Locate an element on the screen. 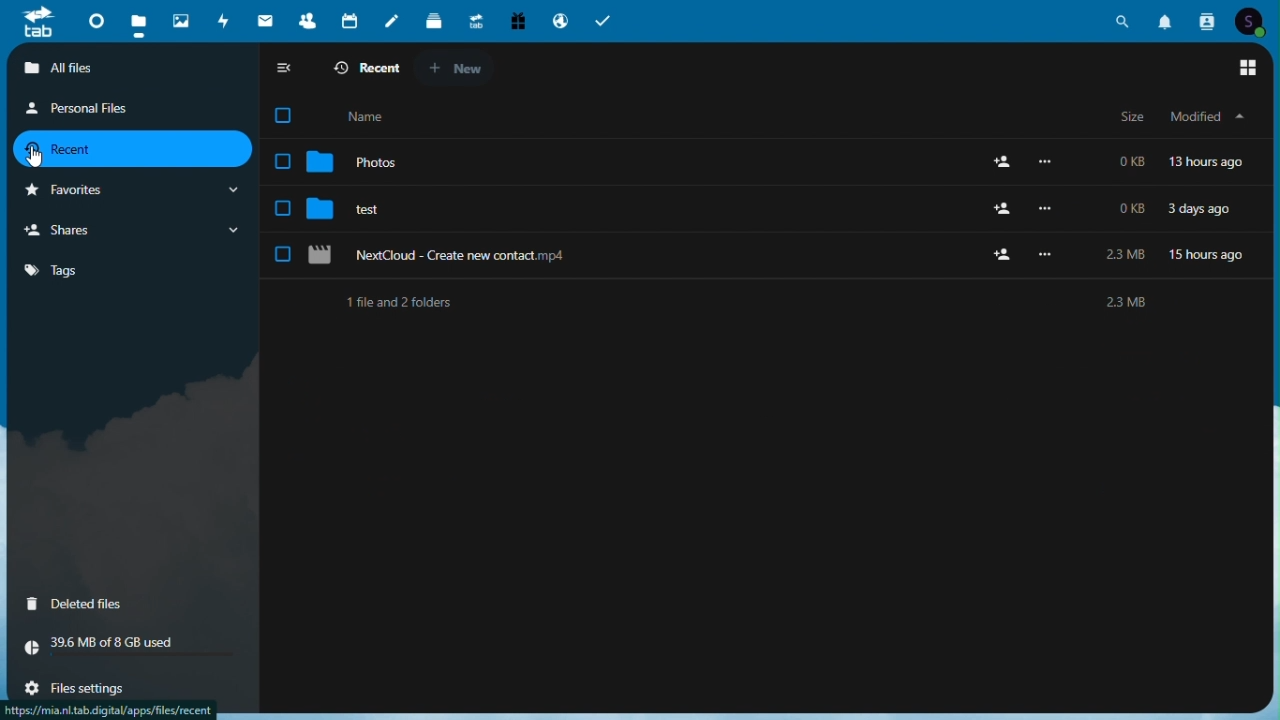 Image resolution: width=1280 pixels, height=720 pixels. 13 hours ago is located at coordinates (1212, 163).